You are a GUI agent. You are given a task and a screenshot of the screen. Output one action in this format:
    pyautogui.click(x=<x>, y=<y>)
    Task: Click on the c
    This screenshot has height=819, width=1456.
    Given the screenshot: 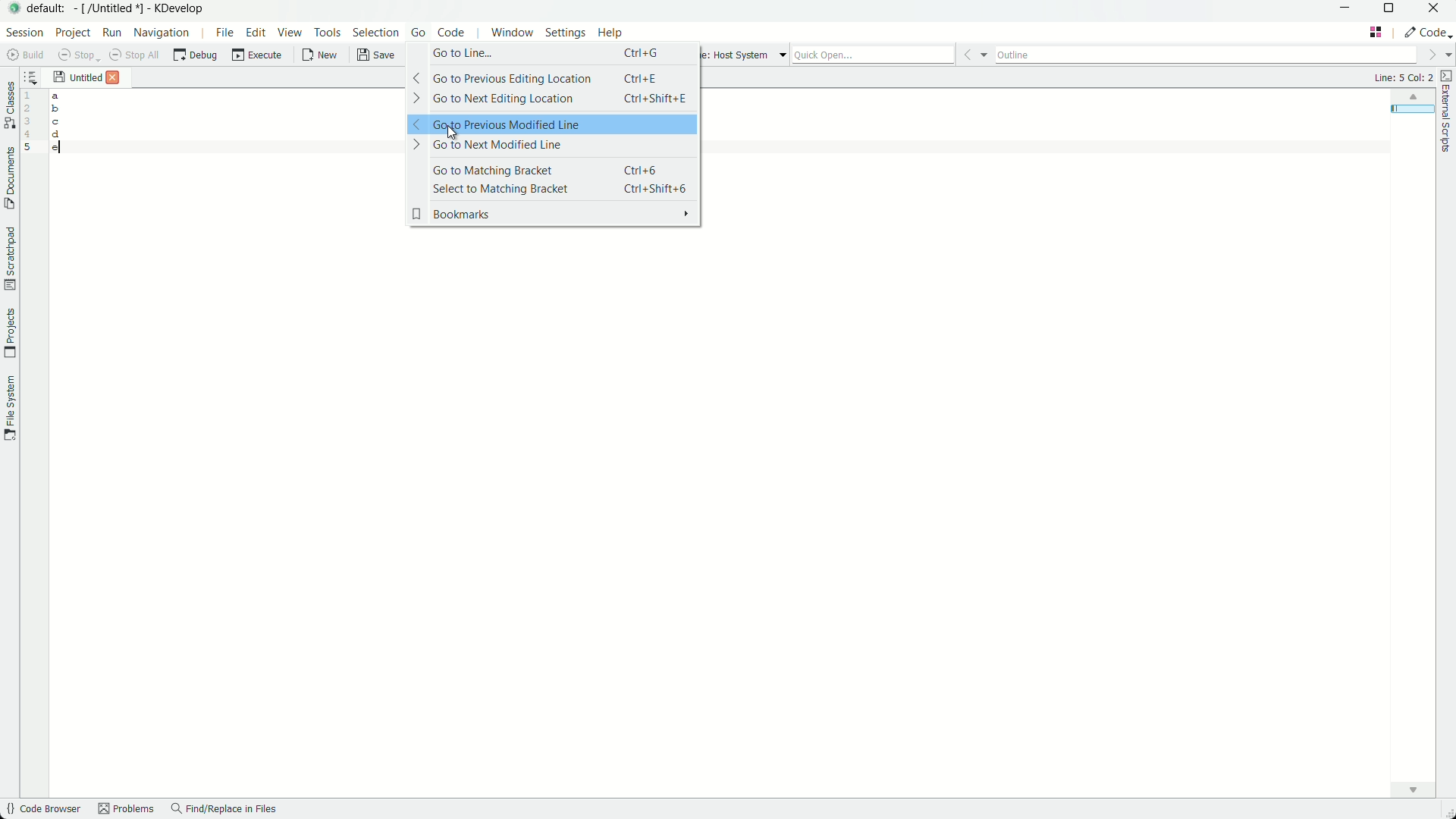 What is the action you would take?
    pyautogui.click(x=58, y=121)
    